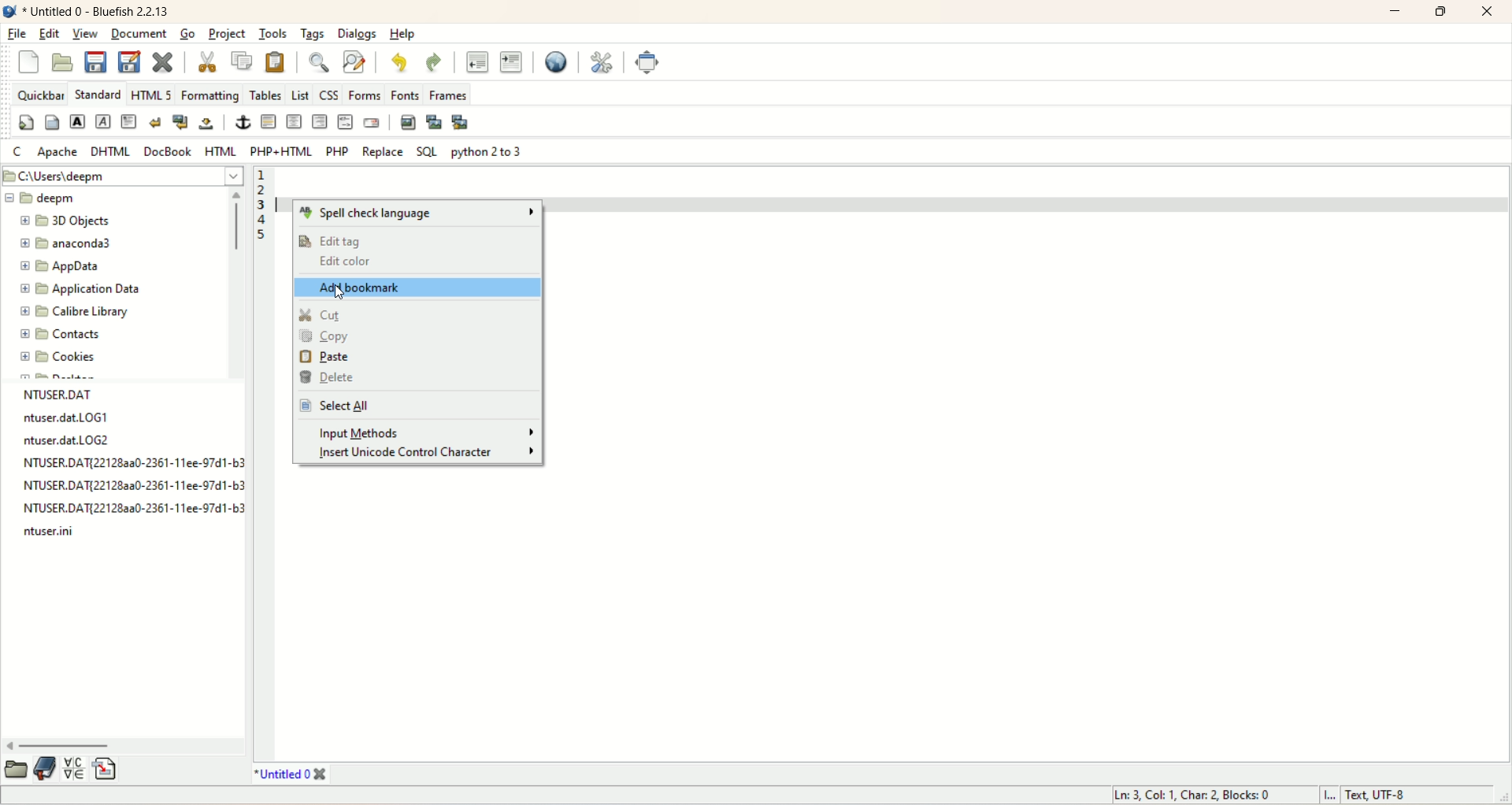 This screenshot has height=805, width=1512. What do you see at coordinates (344, 124) in the screenshot?
I see `HTML comment` at bounding box center [344, 124].